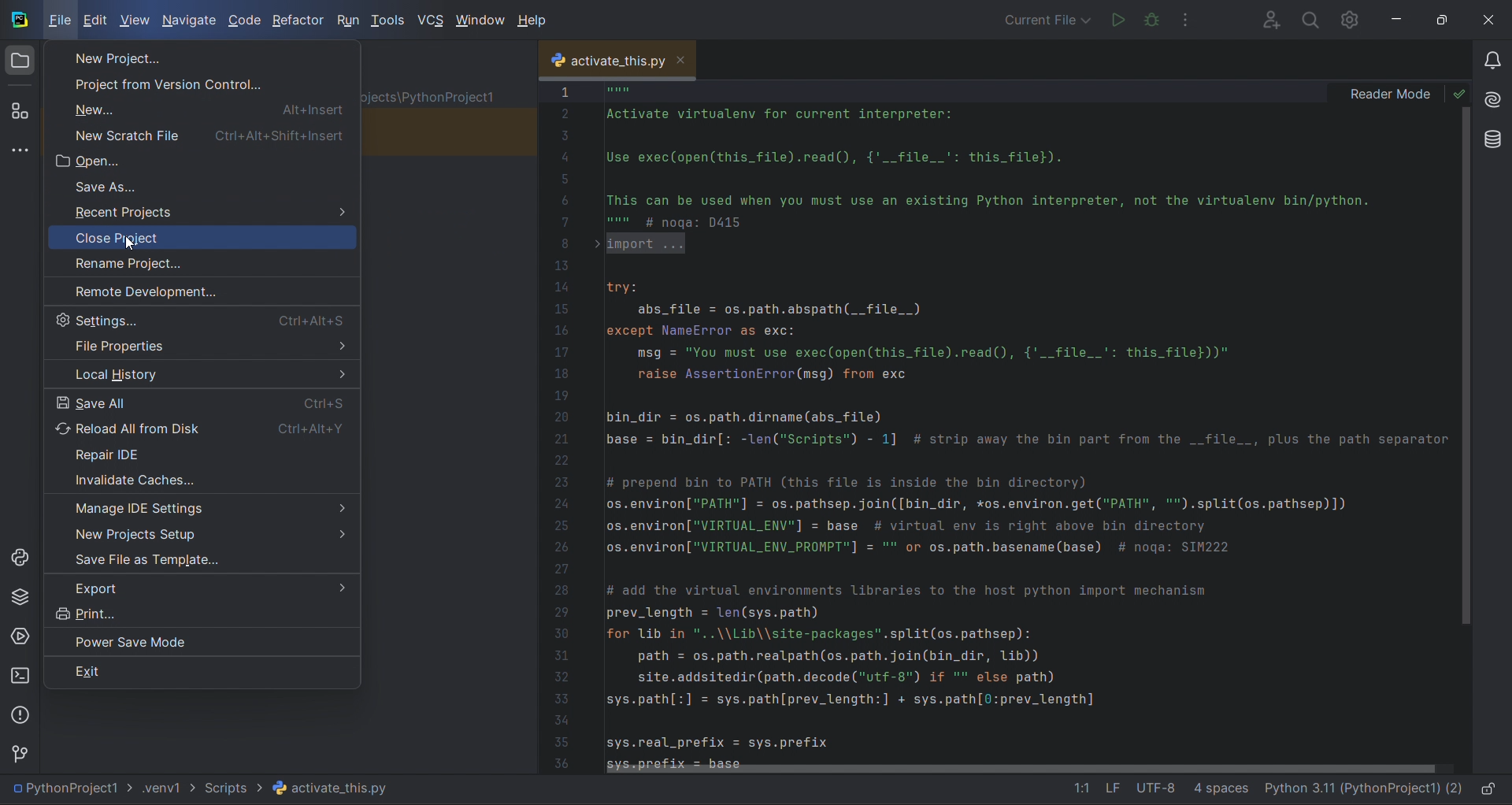  What do you see at coordinates (199, 532) in the screenshot?
I see `new project` at bounding box center [199, 532].